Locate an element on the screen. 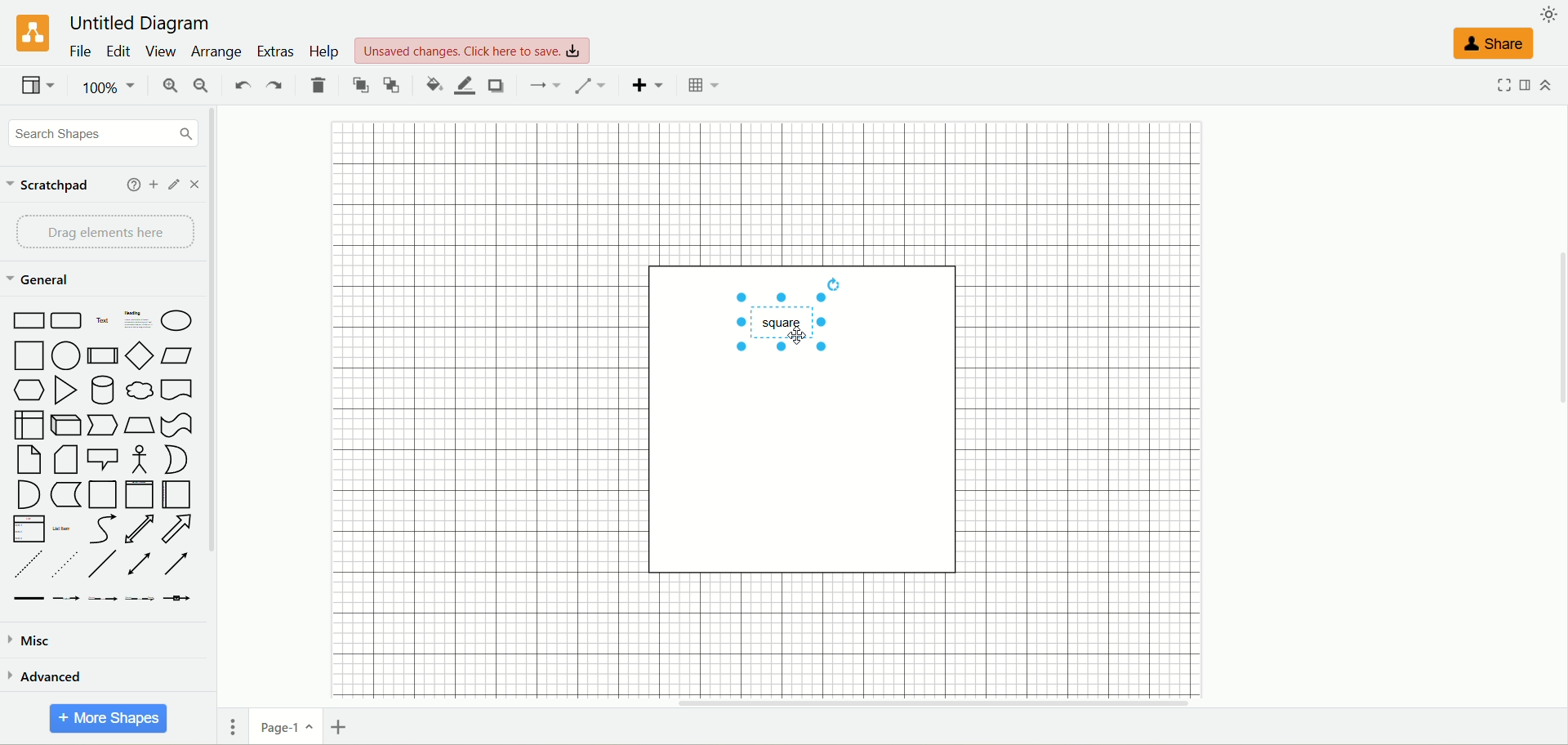 This screenshot has height=745, width=1568. redo is located at coordinates (270, 87).